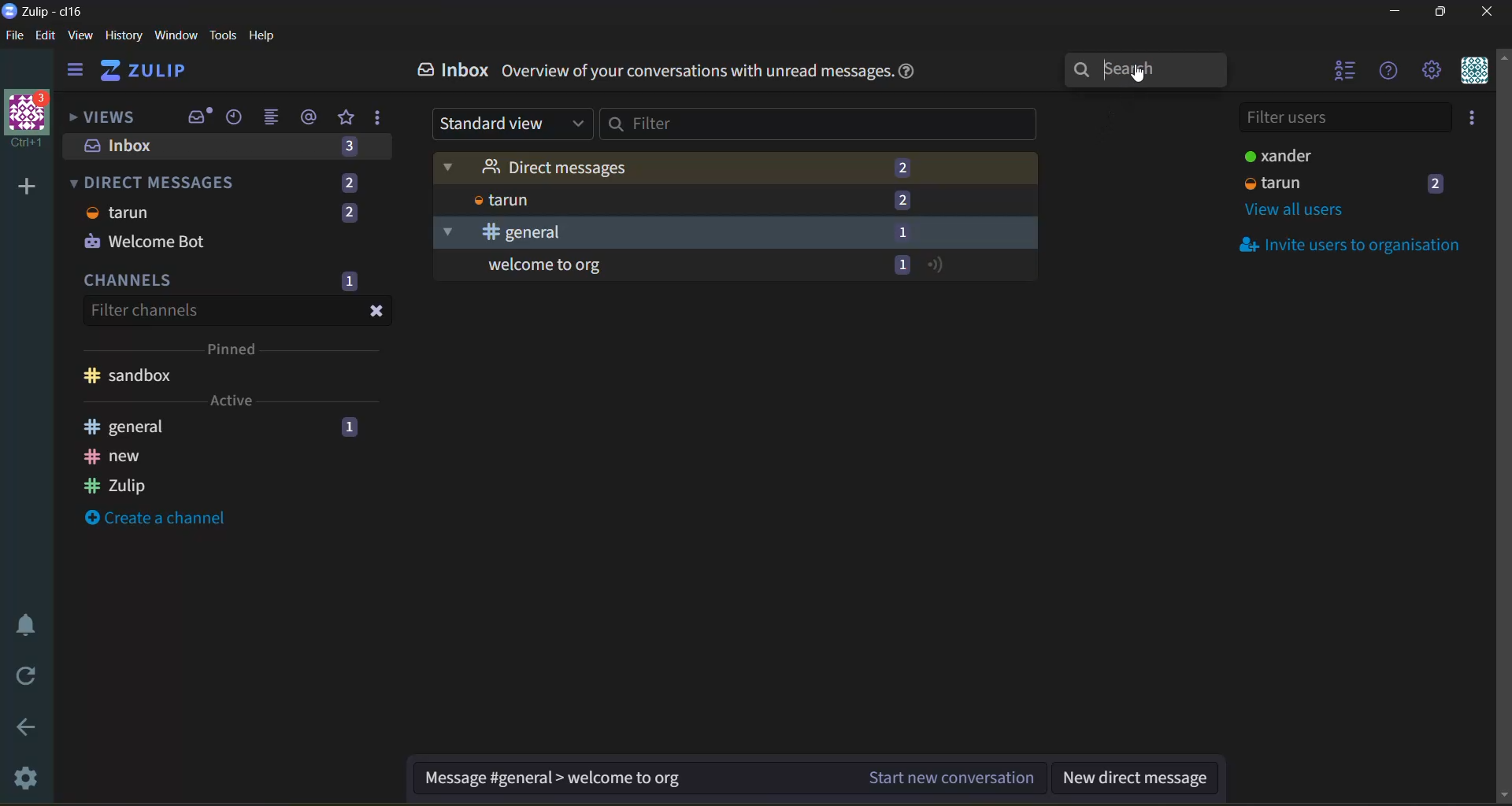 The image size is (1512, 806). I want to click on tarun, so click(498, 200).